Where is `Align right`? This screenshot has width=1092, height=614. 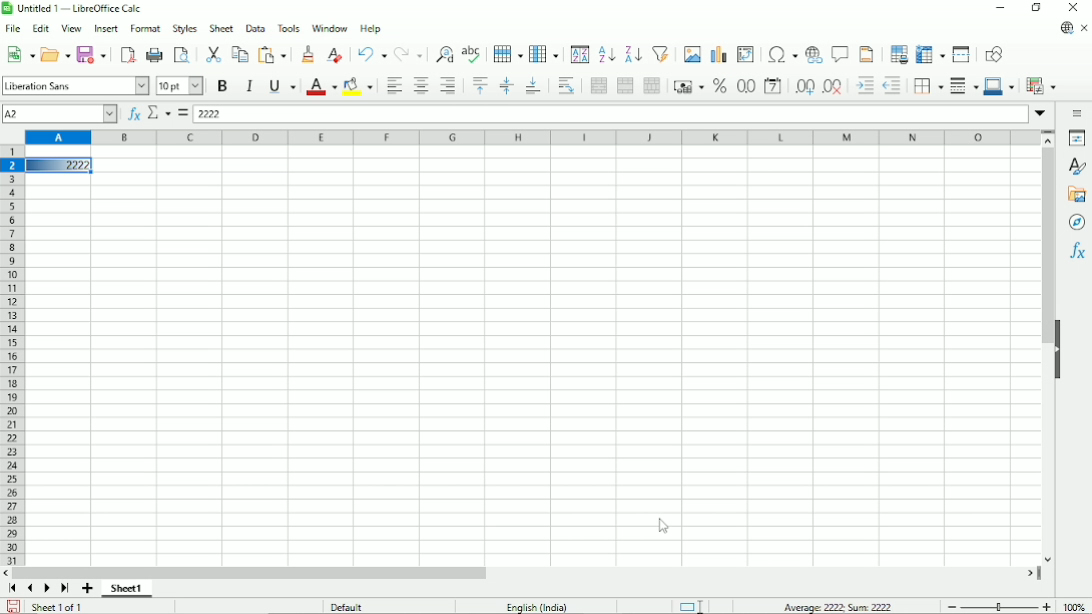 Align right is located at coordinates (448, 85).